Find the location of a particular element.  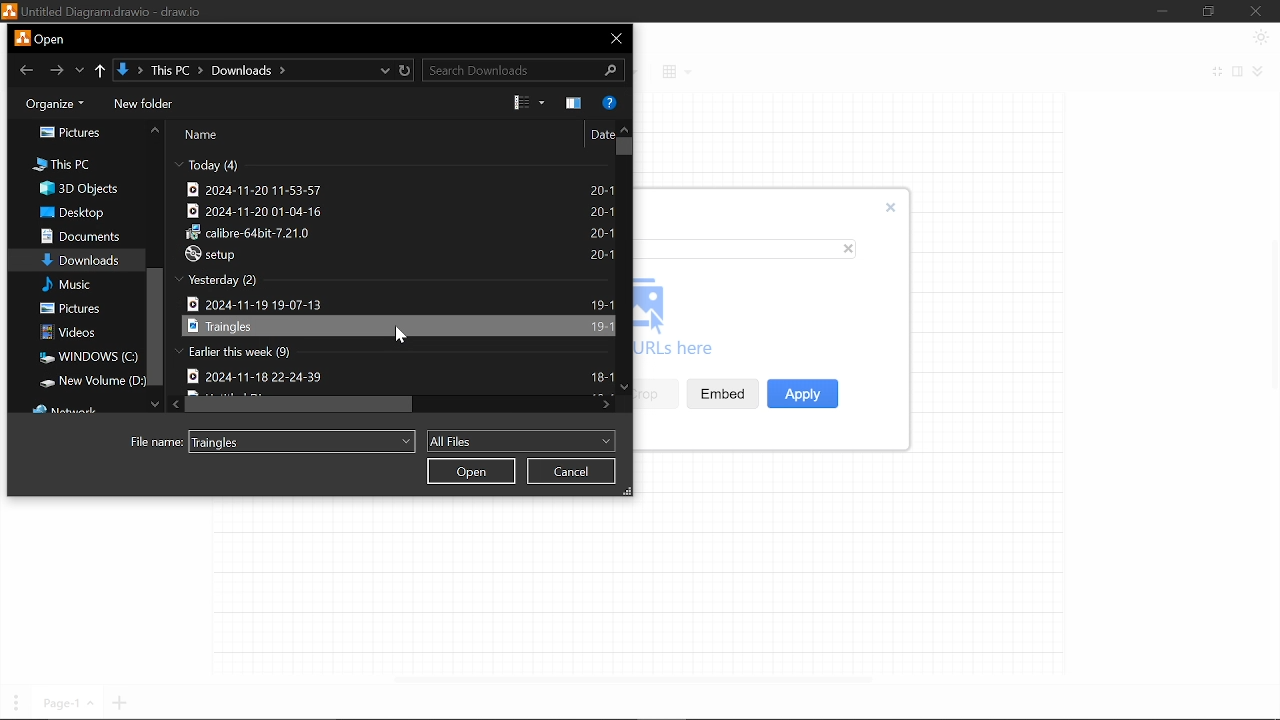

2024-11-20 01-04-16 is located at coordinates (259, 211).